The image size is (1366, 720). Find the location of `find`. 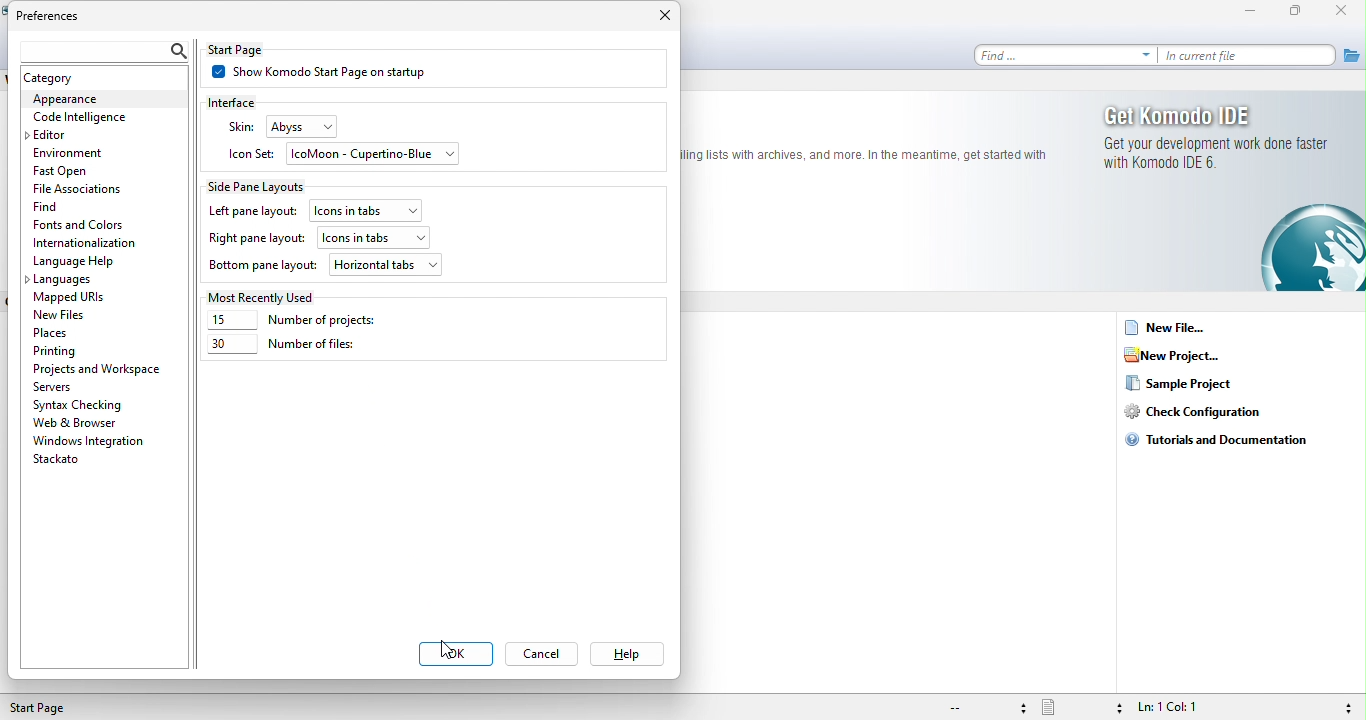

find is located at coordinates (88, 206).